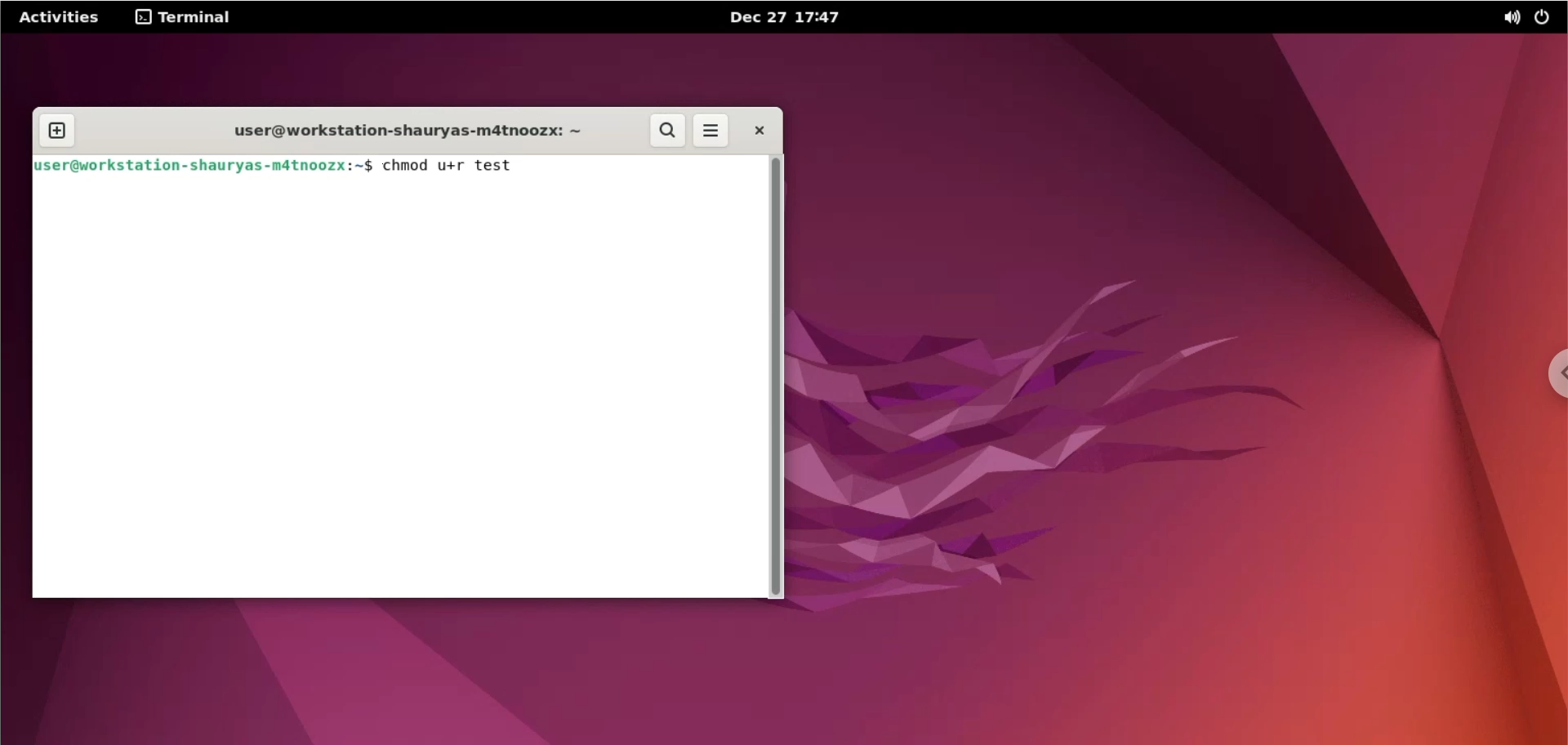 The image size is (1568, 745). What do you see at coordinates (759, 131) in the screenshot?
I see `close` at bounding box center [759, 131].